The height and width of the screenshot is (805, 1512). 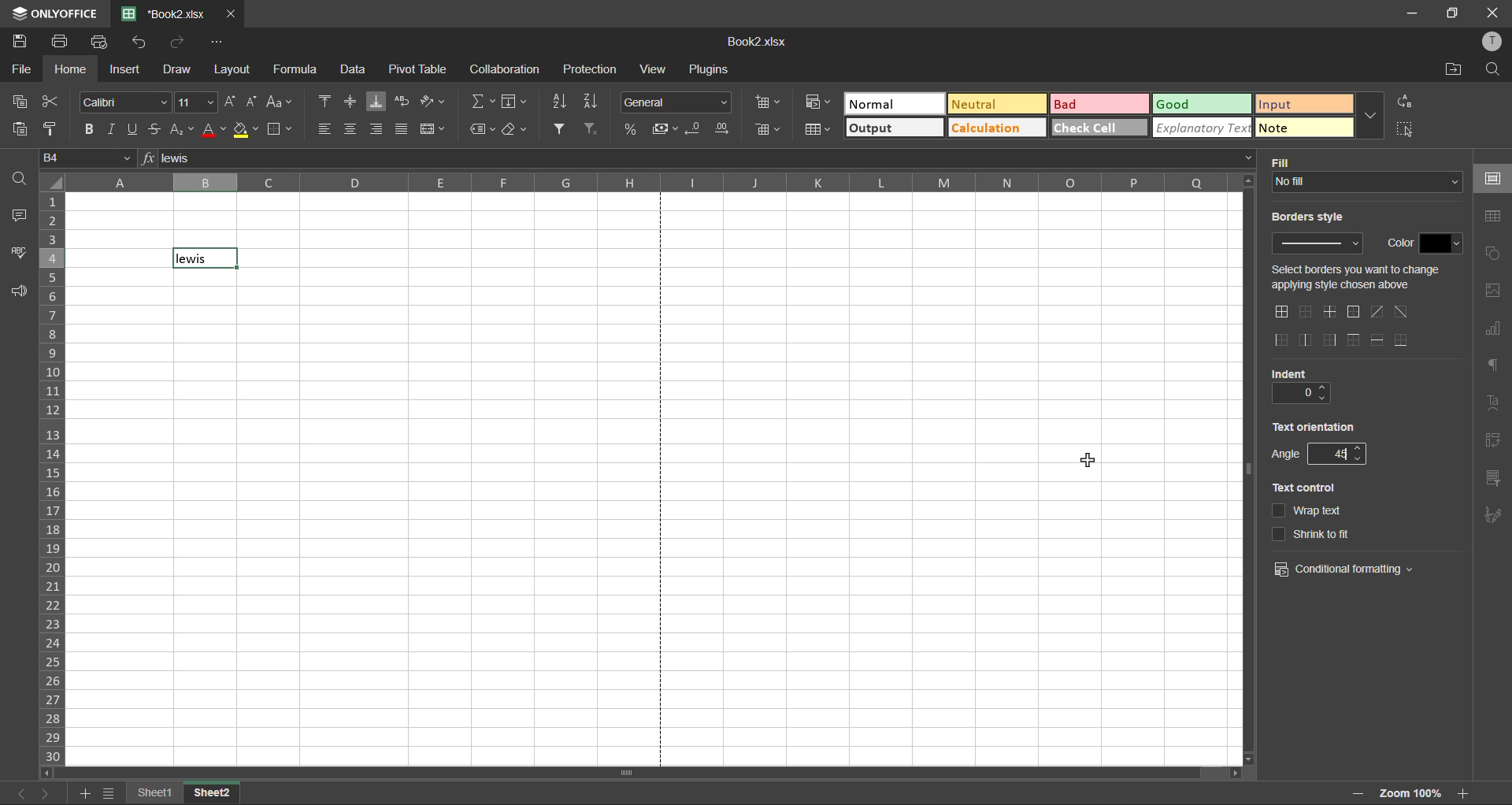 What do you see at coordinates (297, 70) in the screenshot?
I see `formula` at bounding box center [297, 70].